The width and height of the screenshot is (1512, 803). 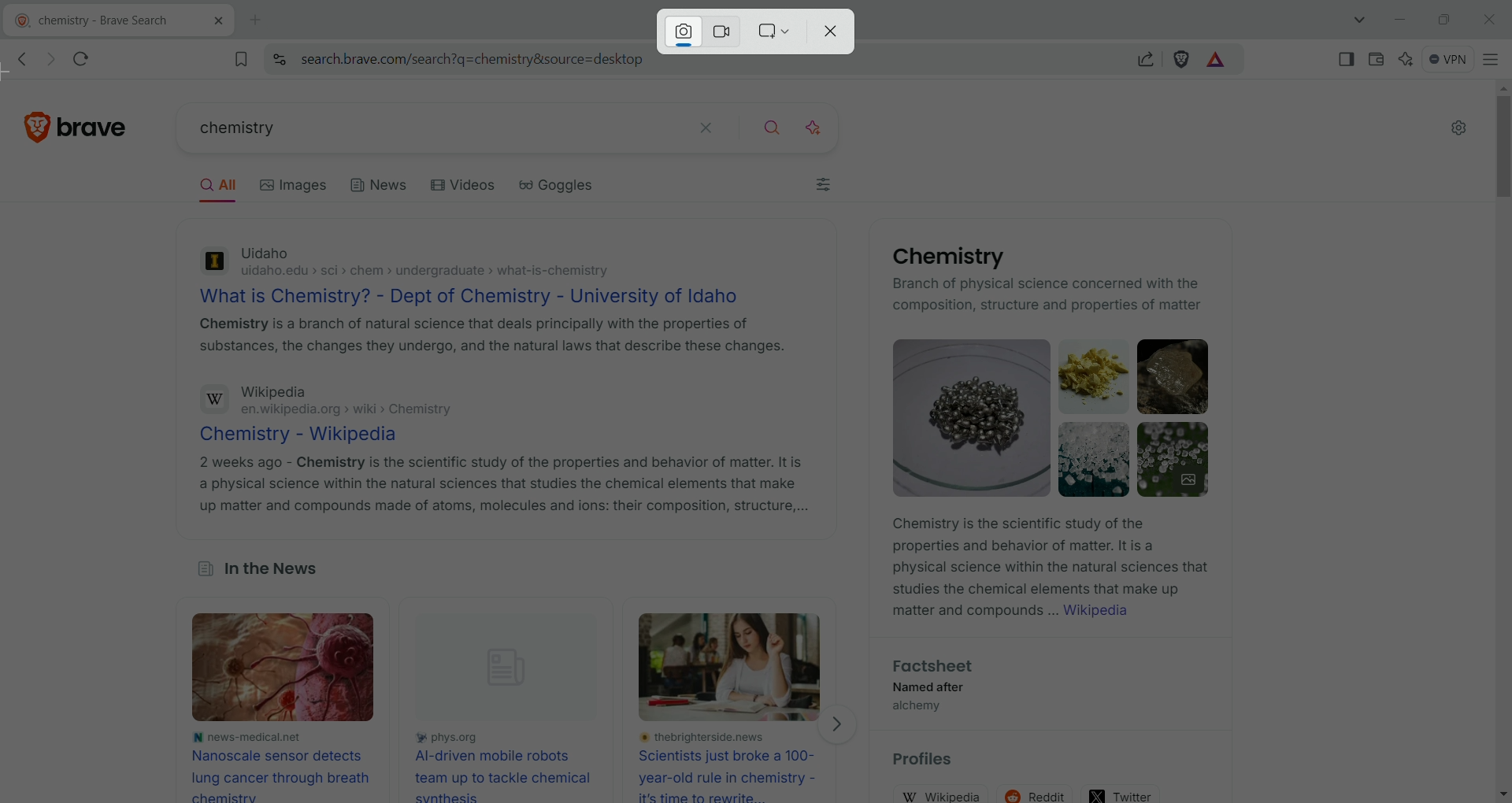 What do you see at coordinates (350, 413) in the screenshot?
I see `Wikipediaen.wikipedia.org > wiki > ChemistryChemistry - Wikipedia` at bounding box center [350, 413].